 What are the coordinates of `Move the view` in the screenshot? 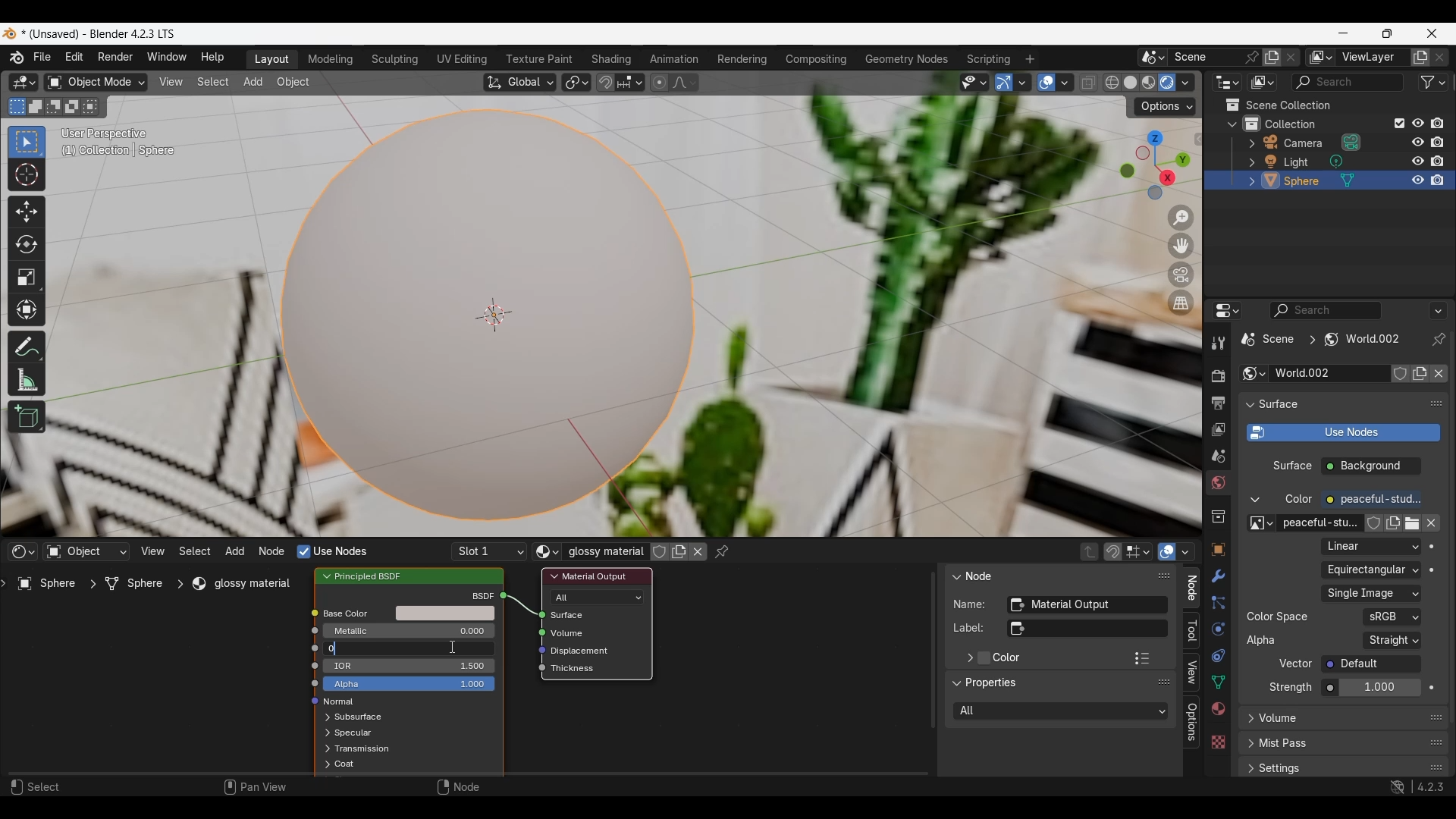 It's located at (1181, 246).